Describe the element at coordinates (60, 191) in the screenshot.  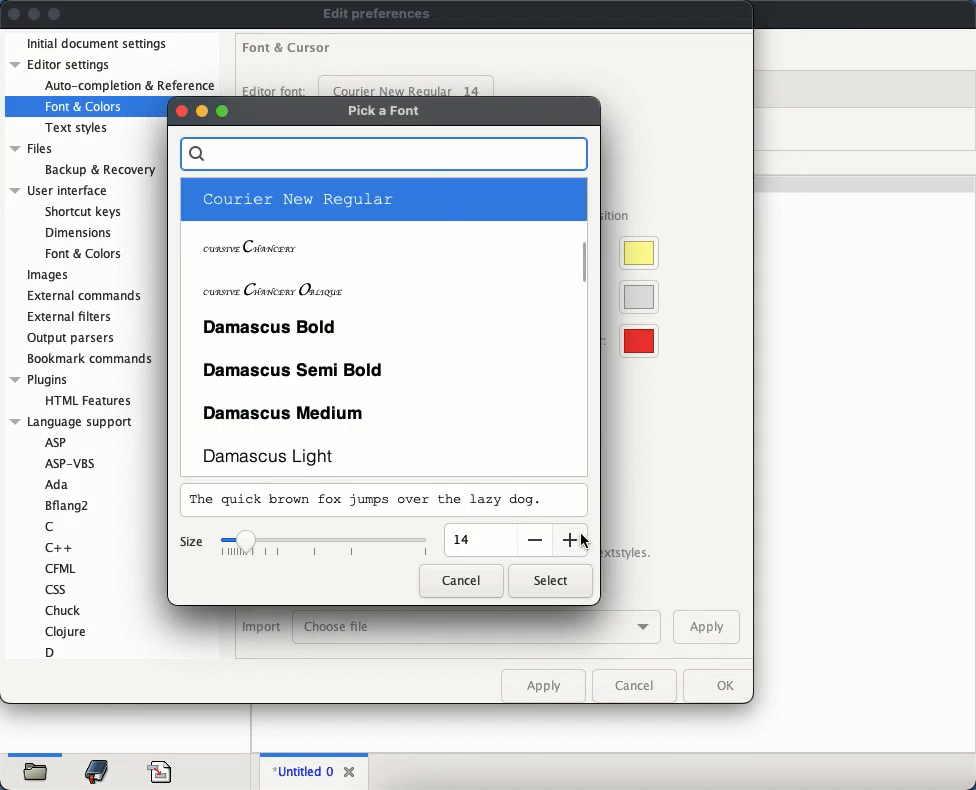
I see `user interface` at that location.